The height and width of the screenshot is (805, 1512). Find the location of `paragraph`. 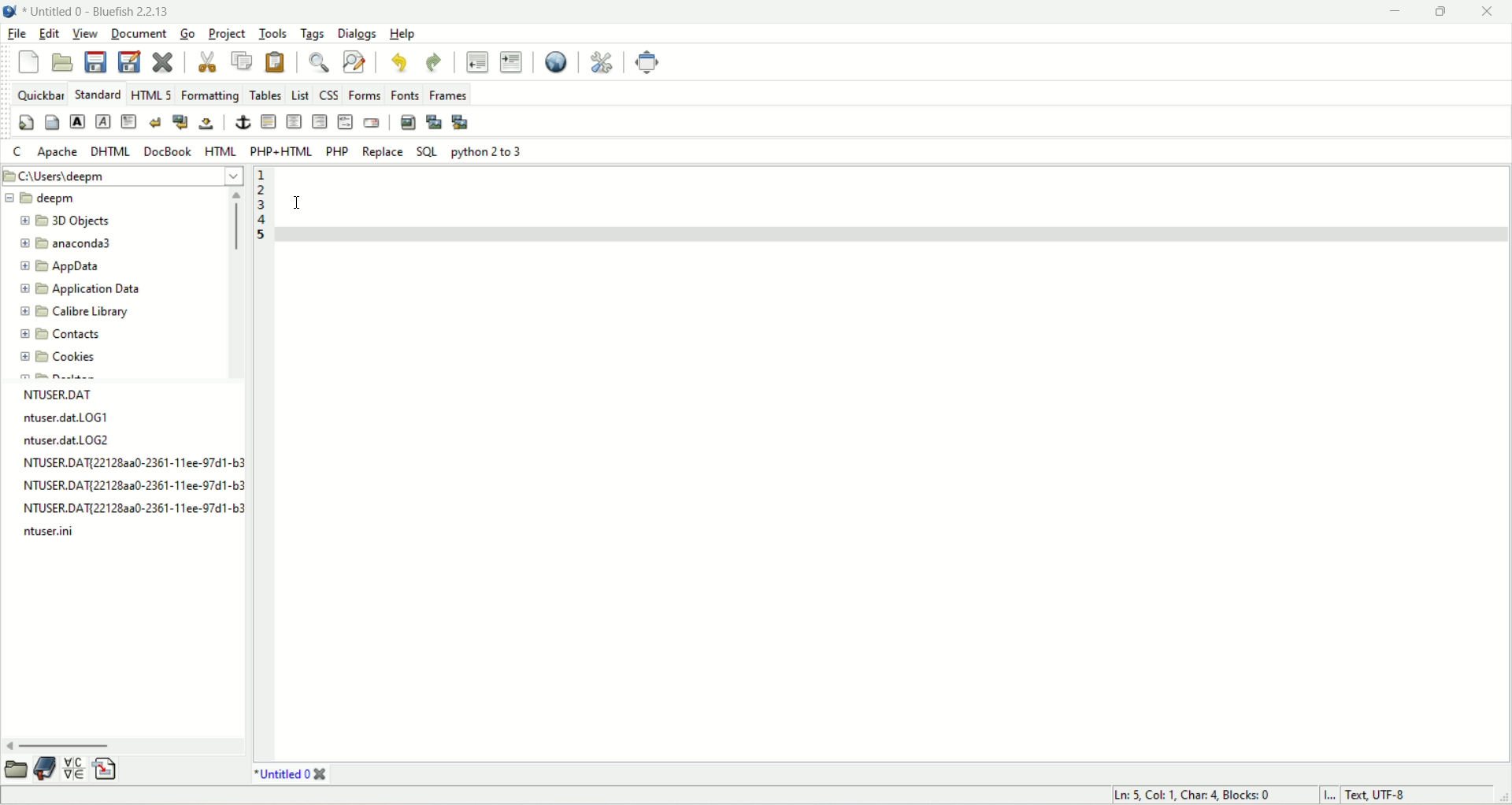

paragraph is located at coordinates (130, 121).